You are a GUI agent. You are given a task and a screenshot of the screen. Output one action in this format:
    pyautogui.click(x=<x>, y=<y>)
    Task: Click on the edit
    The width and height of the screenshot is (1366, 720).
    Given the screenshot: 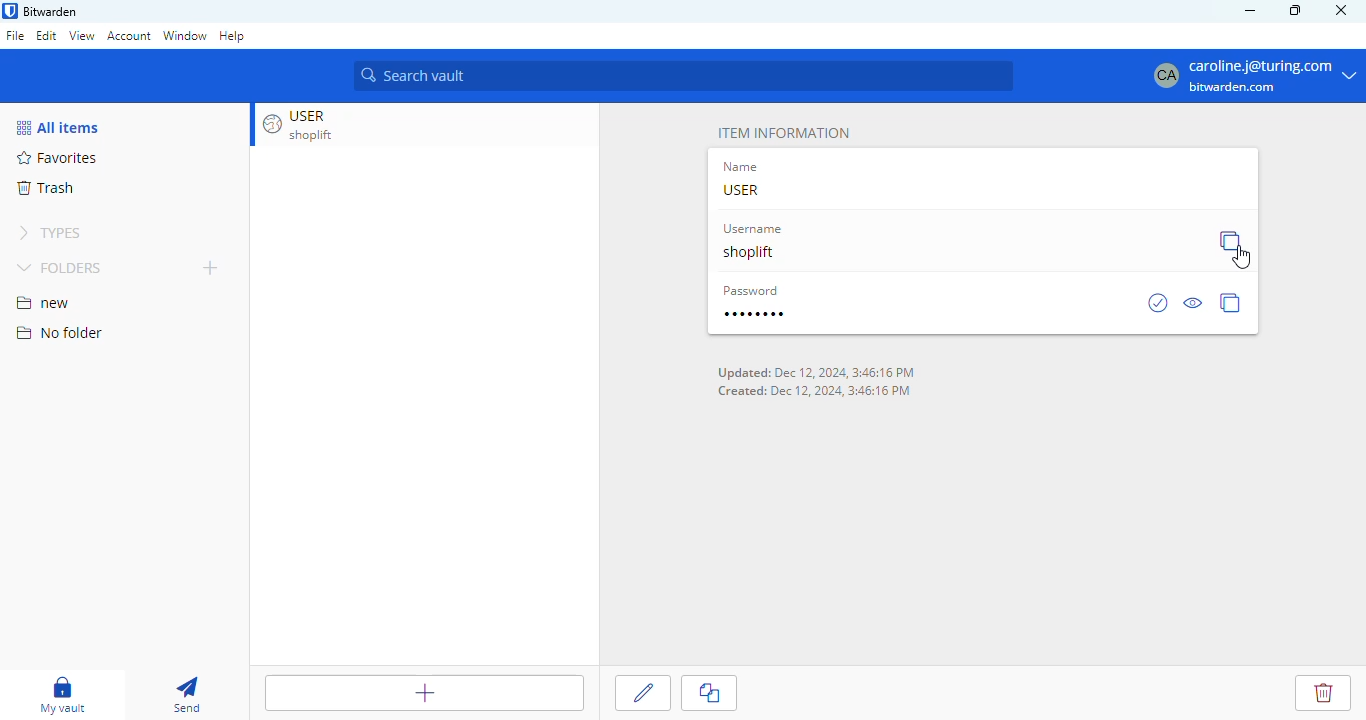 What is the action you would take?
    pyautogui.click(x=48, y=35)
    